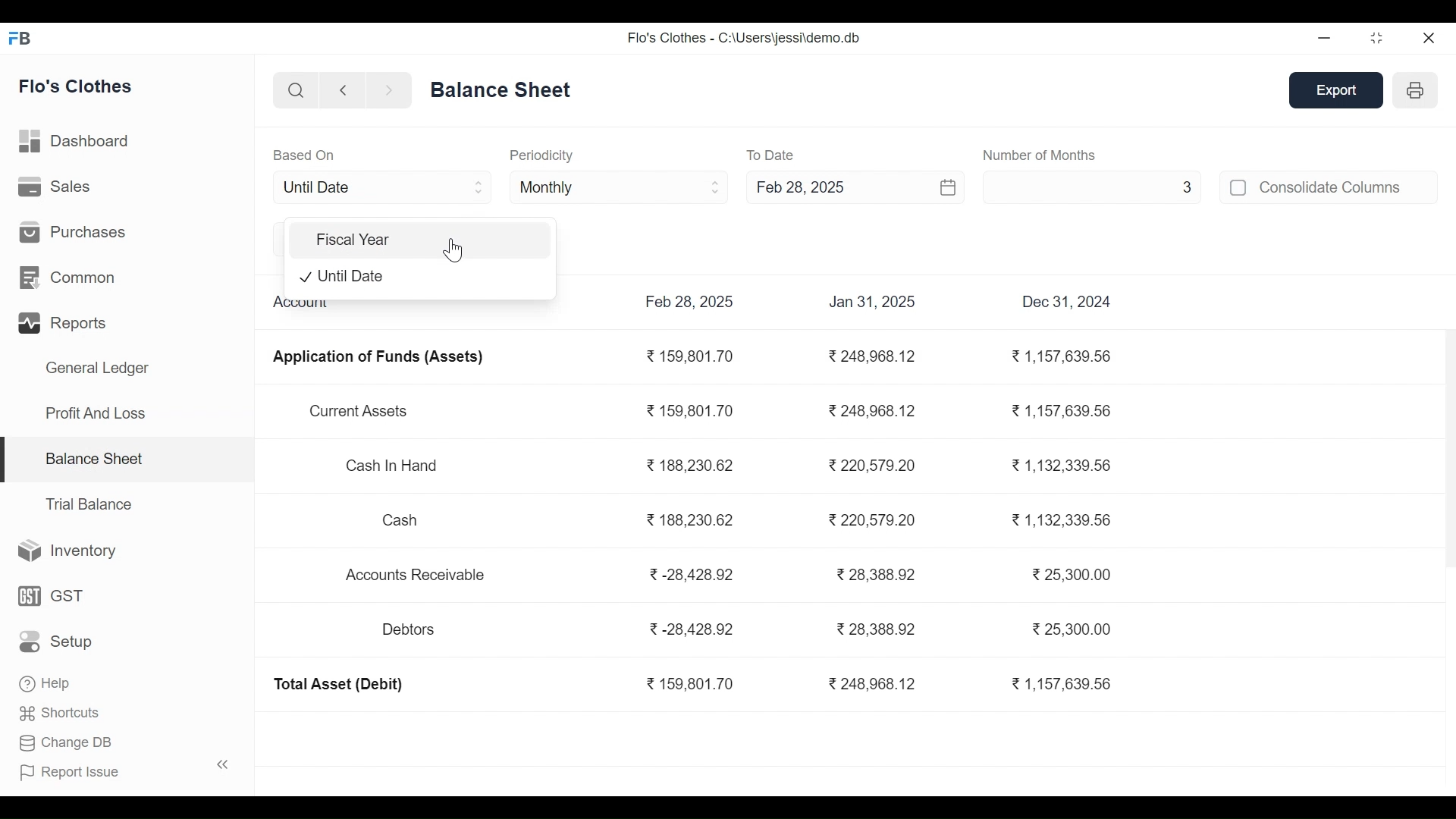  What do you see at coordinates (97, 370) in the screenshot?
I see `General Ledger` at bounding box center [97, 370].